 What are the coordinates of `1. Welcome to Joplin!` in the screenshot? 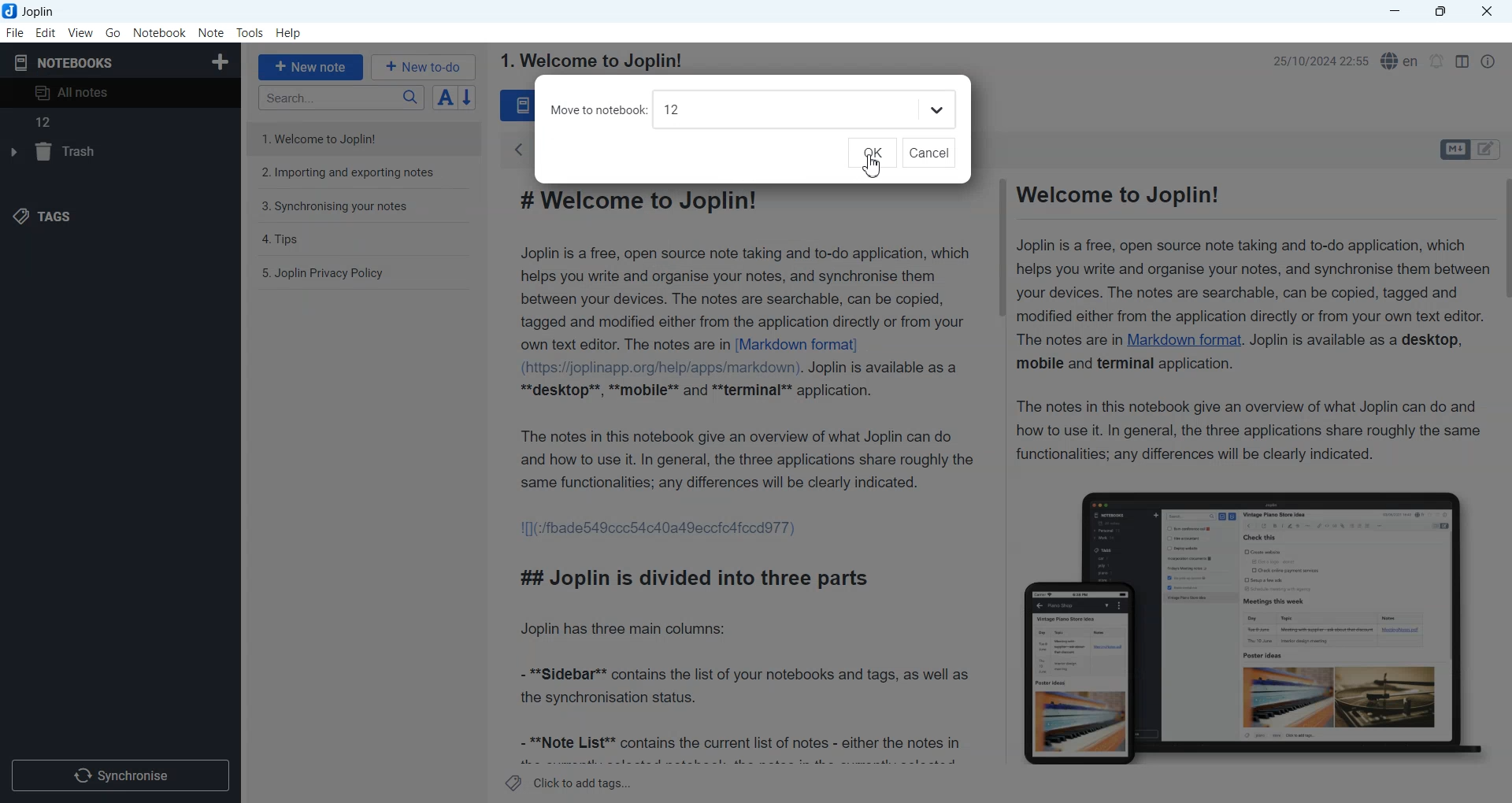 It's located at (590, 61).